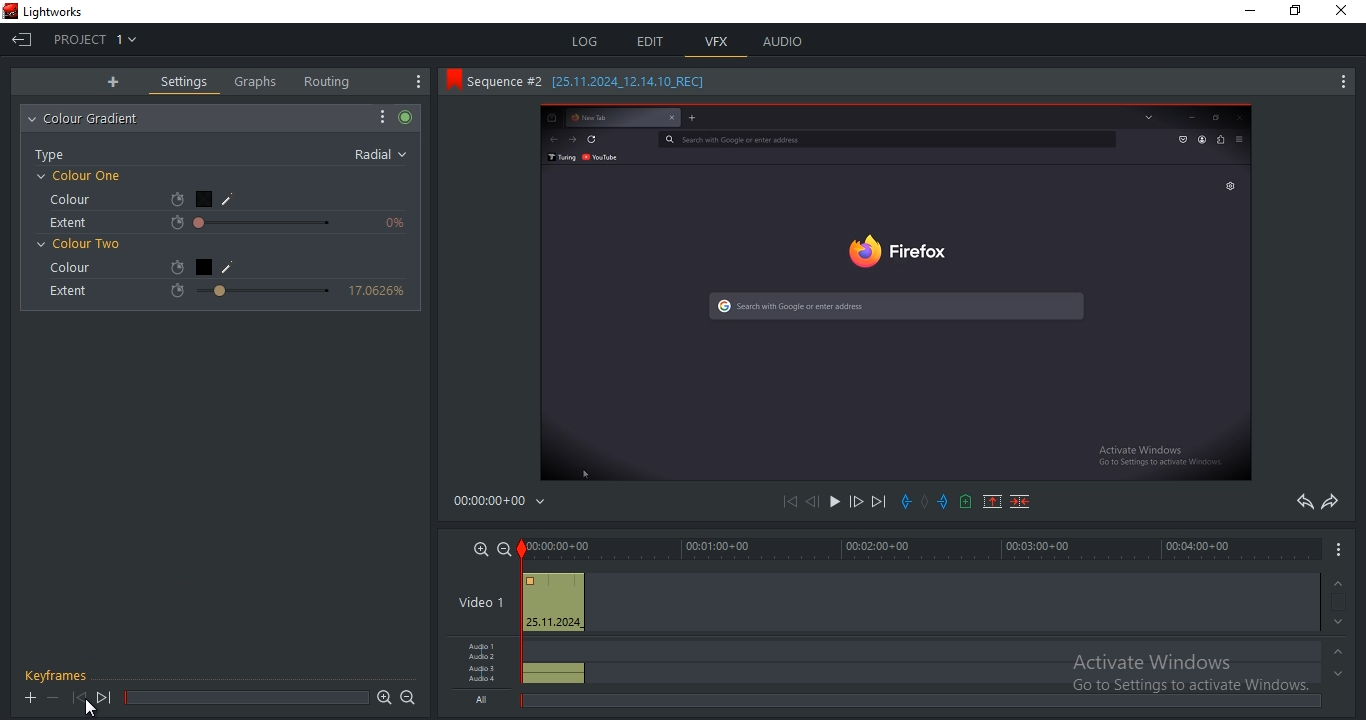 This screenshot has height=720, width=1366. Describe the element at coordinates (181, 288) in the screenshot. I see `duration icon` at that location.